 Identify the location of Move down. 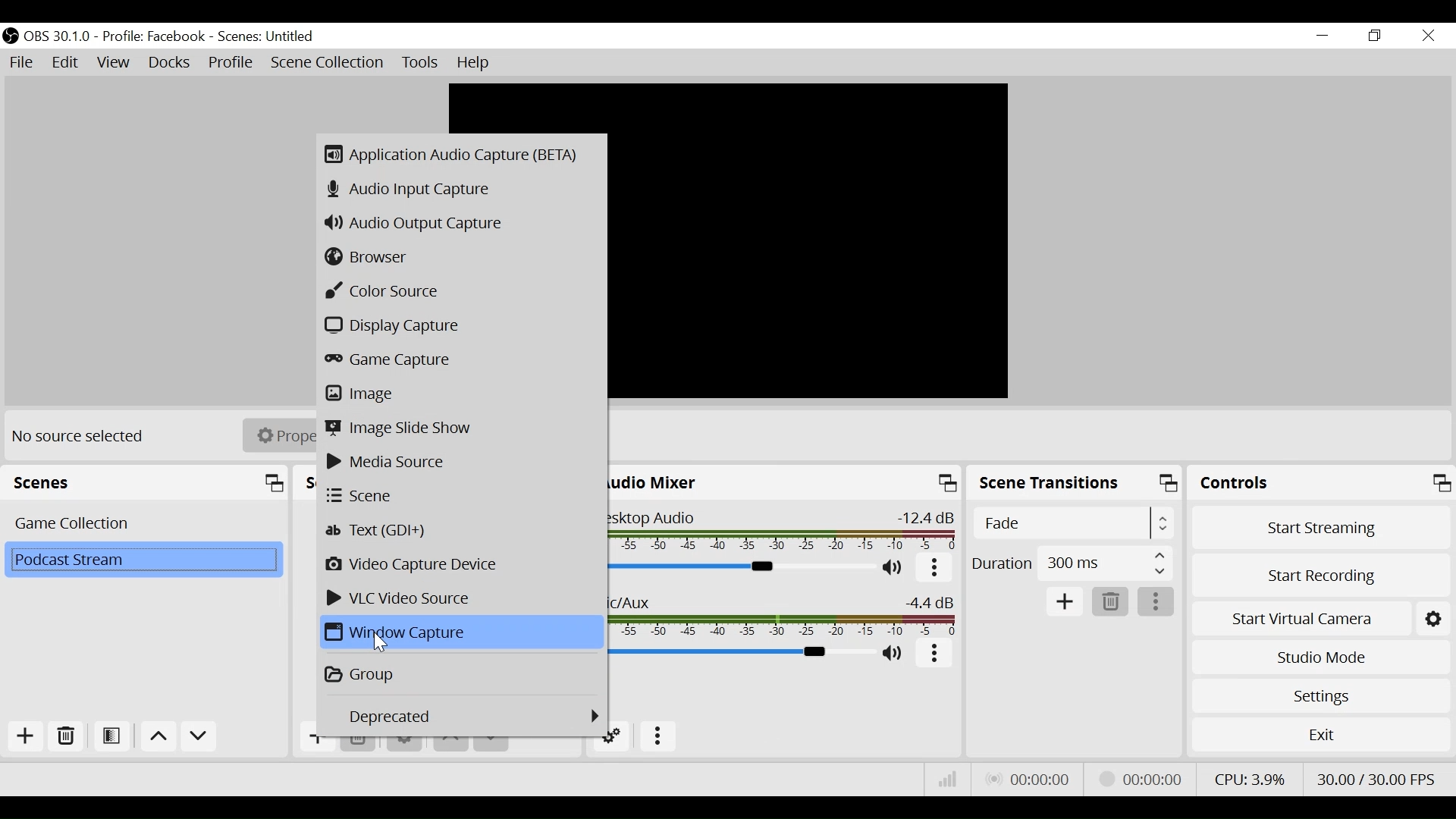
(492, 746).